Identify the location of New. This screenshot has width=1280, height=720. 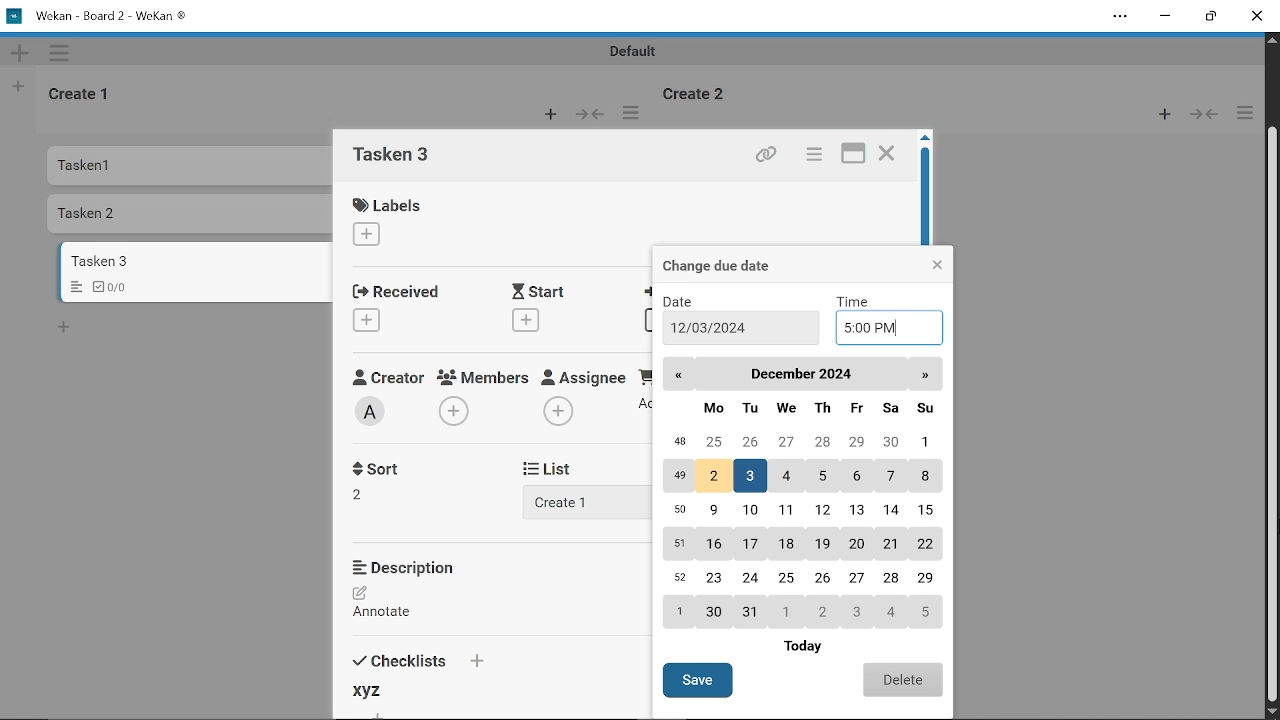
(550, 115).